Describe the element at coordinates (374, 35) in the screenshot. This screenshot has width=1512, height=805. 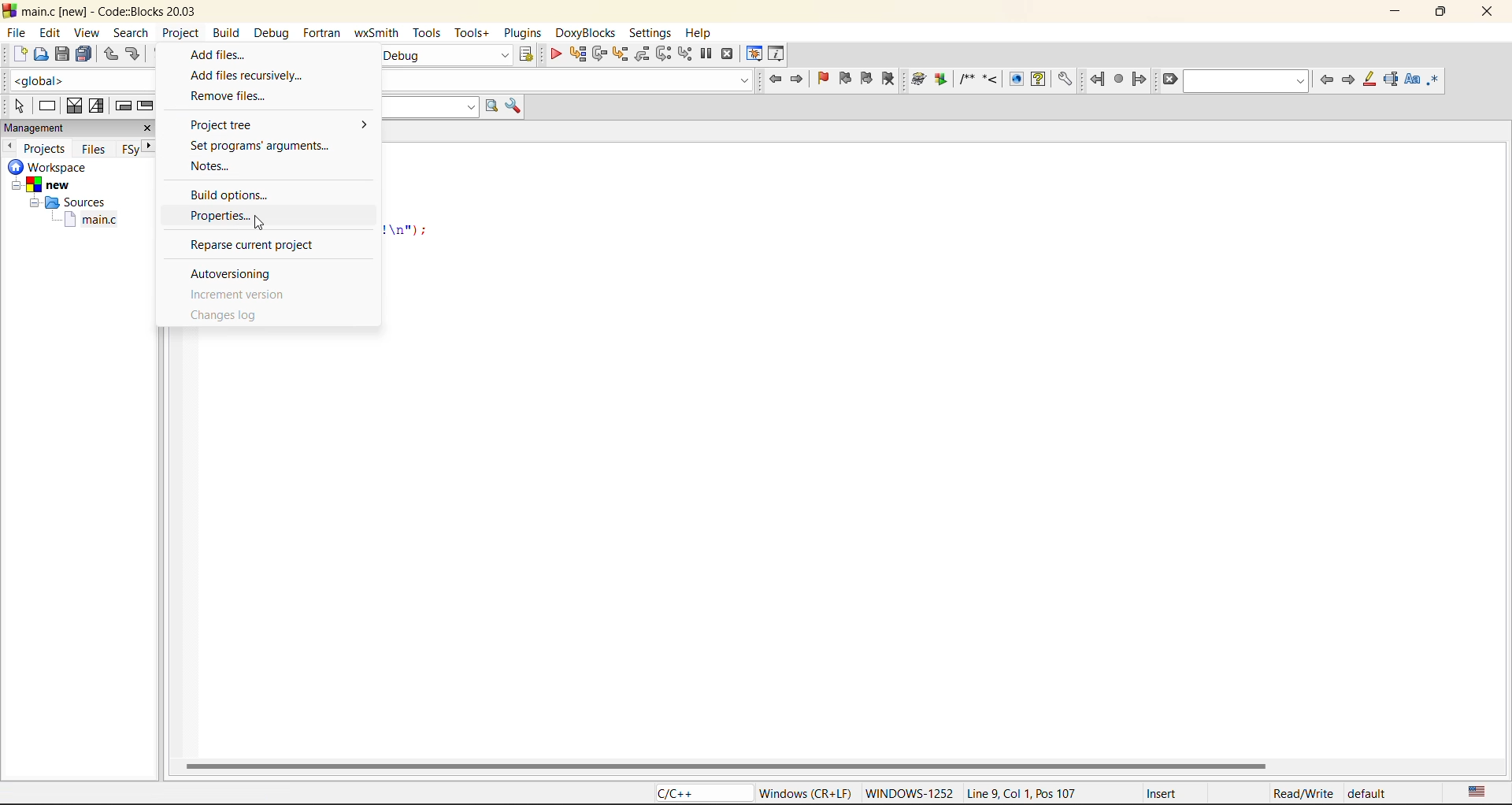
I see `wxsmith` at that location.